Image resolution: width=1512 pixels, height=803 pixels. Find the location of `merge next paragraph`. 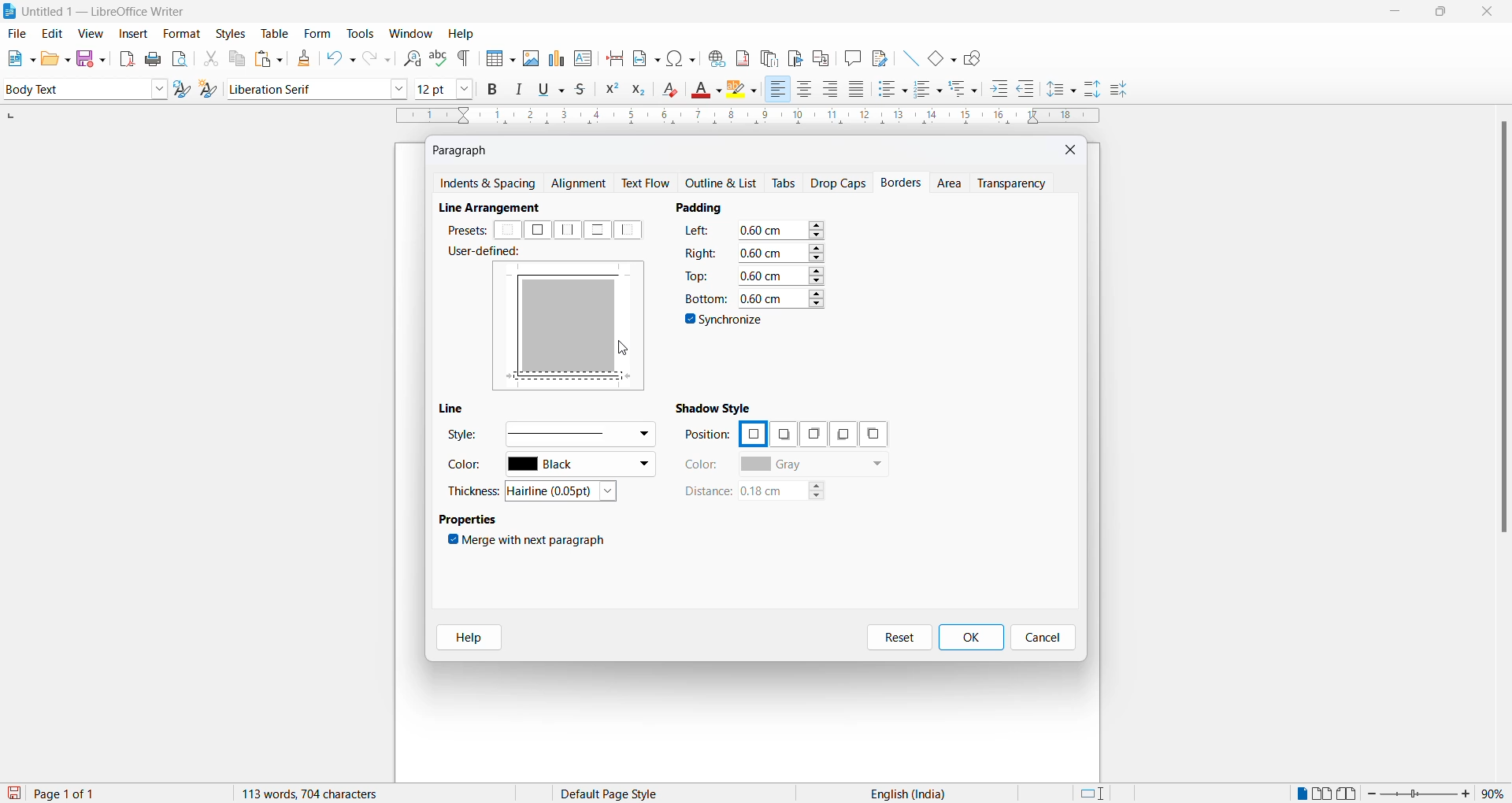

merge next paragraph is located at coordinates (530, 542).